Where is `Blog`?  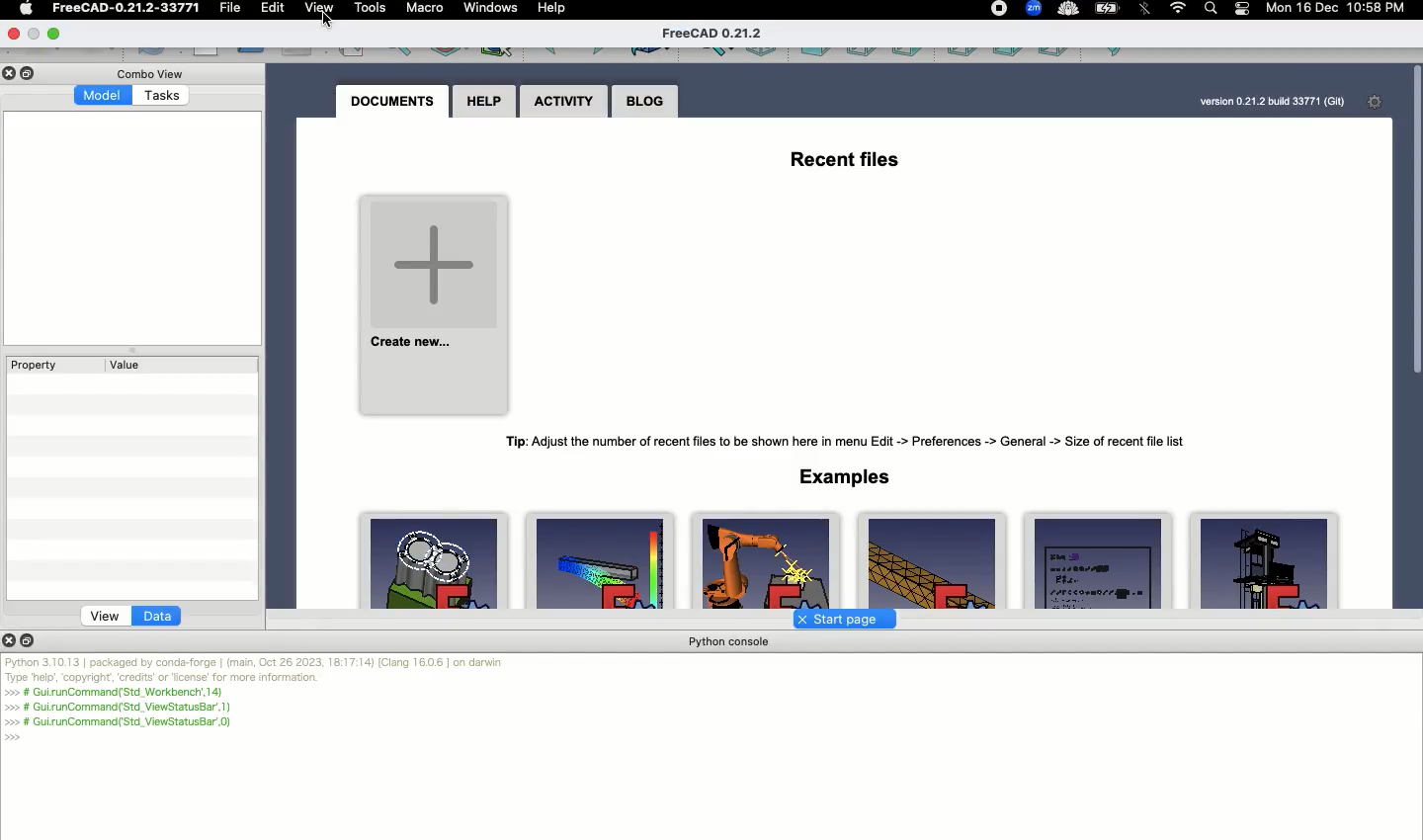
Blog is located at coordinates (645, 103).